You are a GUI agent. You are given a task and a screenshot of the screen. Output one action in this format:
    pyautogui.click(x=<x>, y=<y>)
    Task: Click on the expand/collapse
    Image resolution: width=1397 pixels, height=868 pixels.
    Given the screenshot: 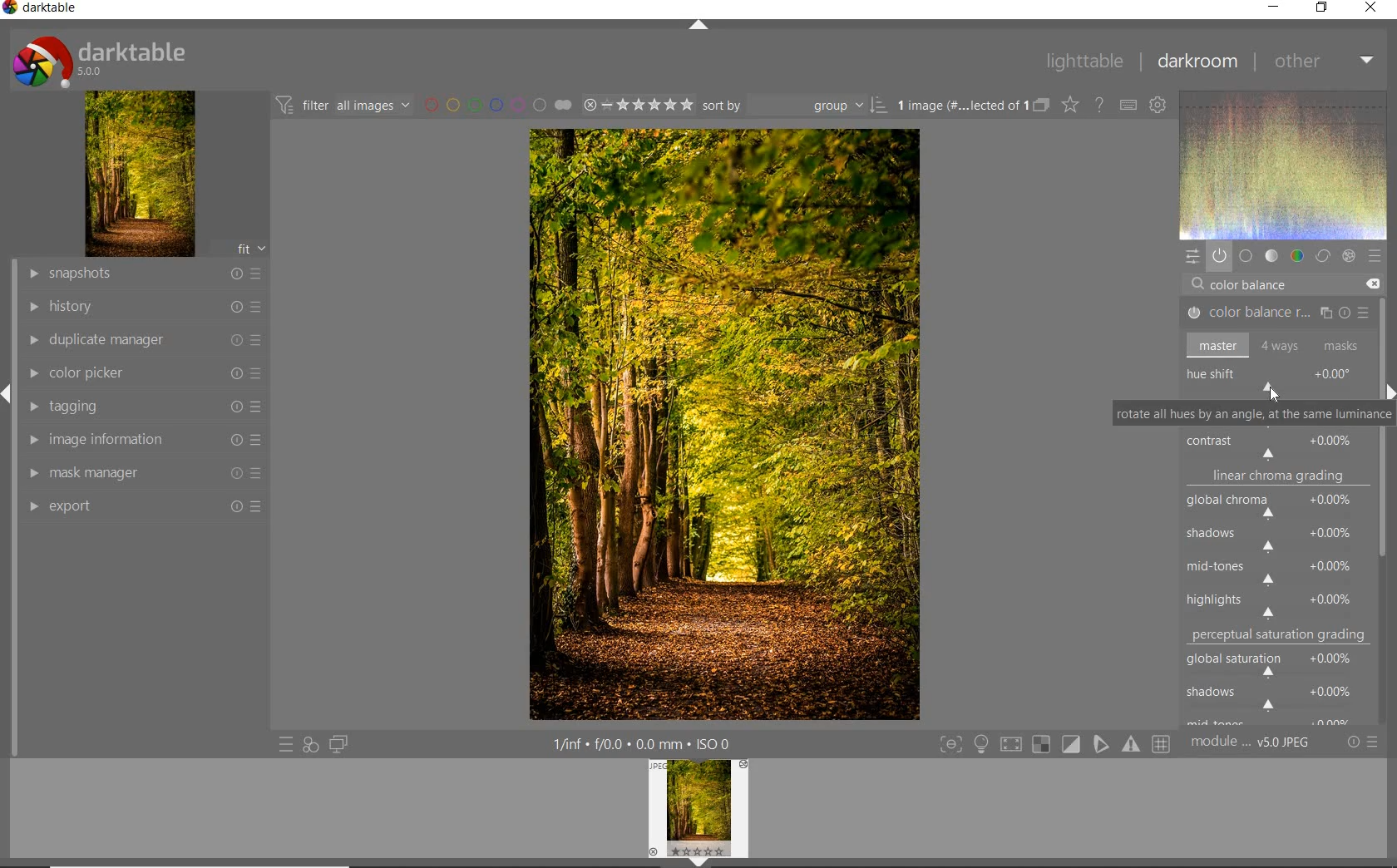 What is the action you would take?
    pyautogui.click(x=1389, y=388)
    